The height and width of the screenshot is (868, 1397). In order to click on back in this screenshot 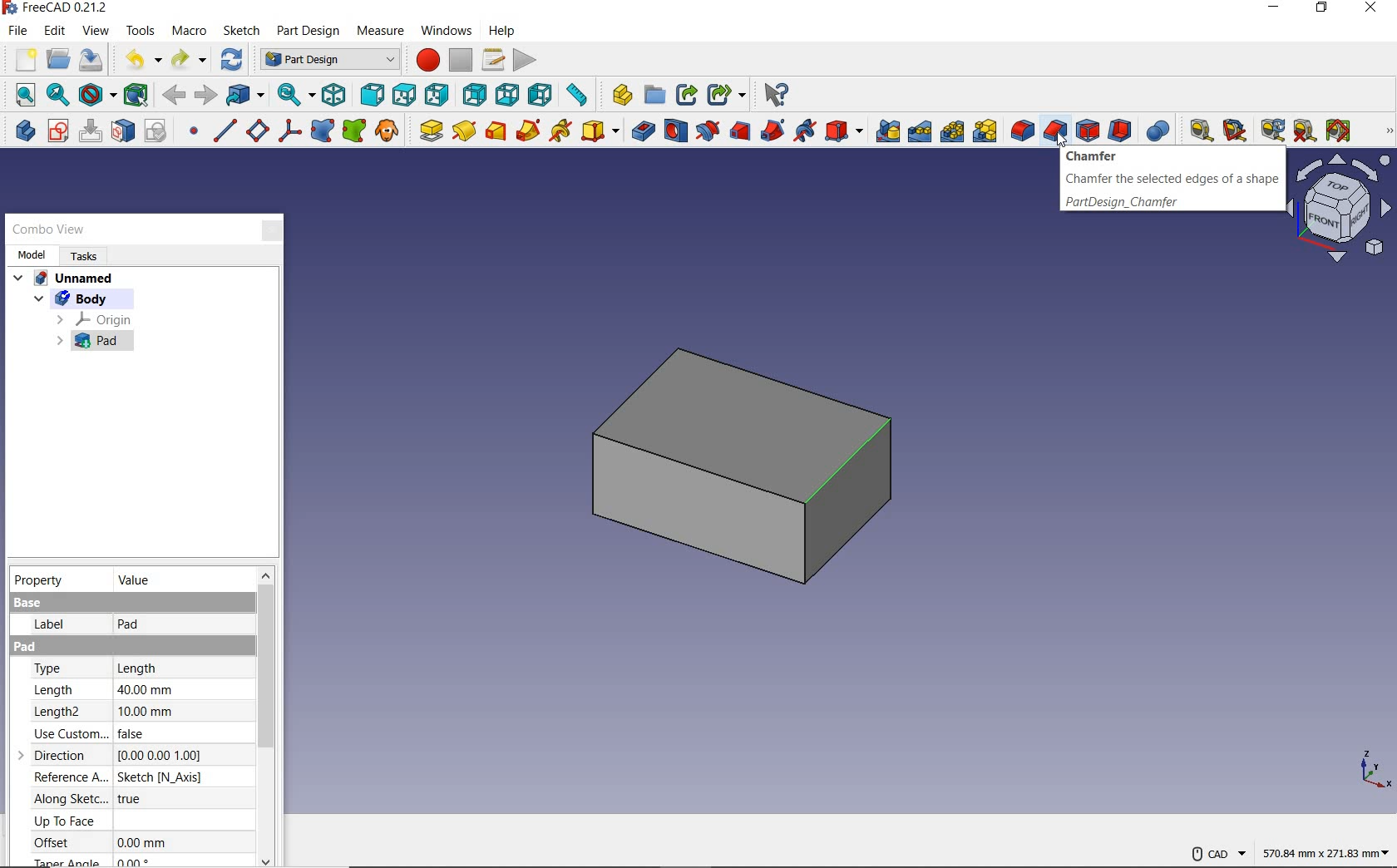, I will do `click(173, 96)`.